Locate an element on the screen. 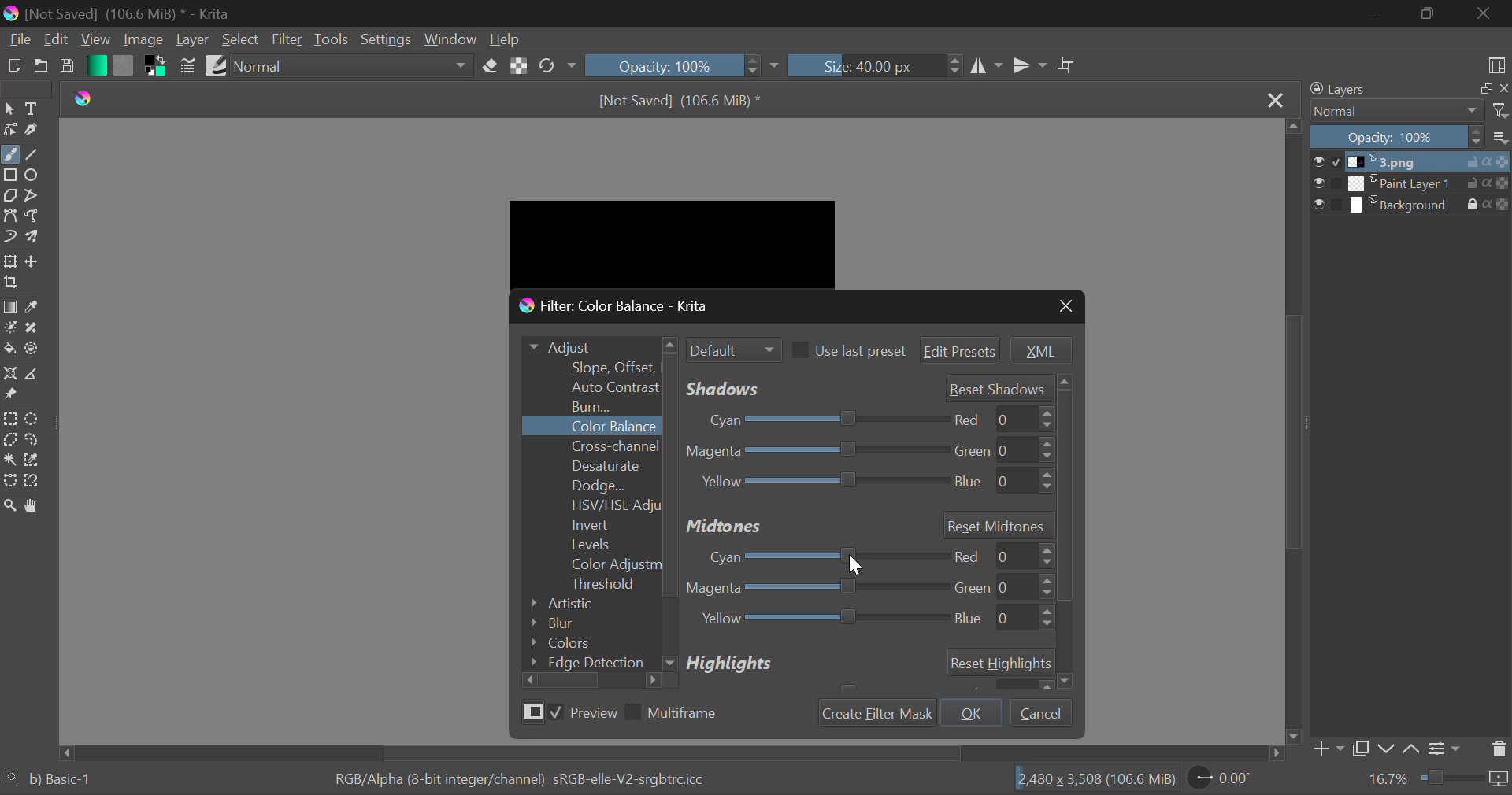 The image size is (1512, 795). New is located at coordinates (14, 68).